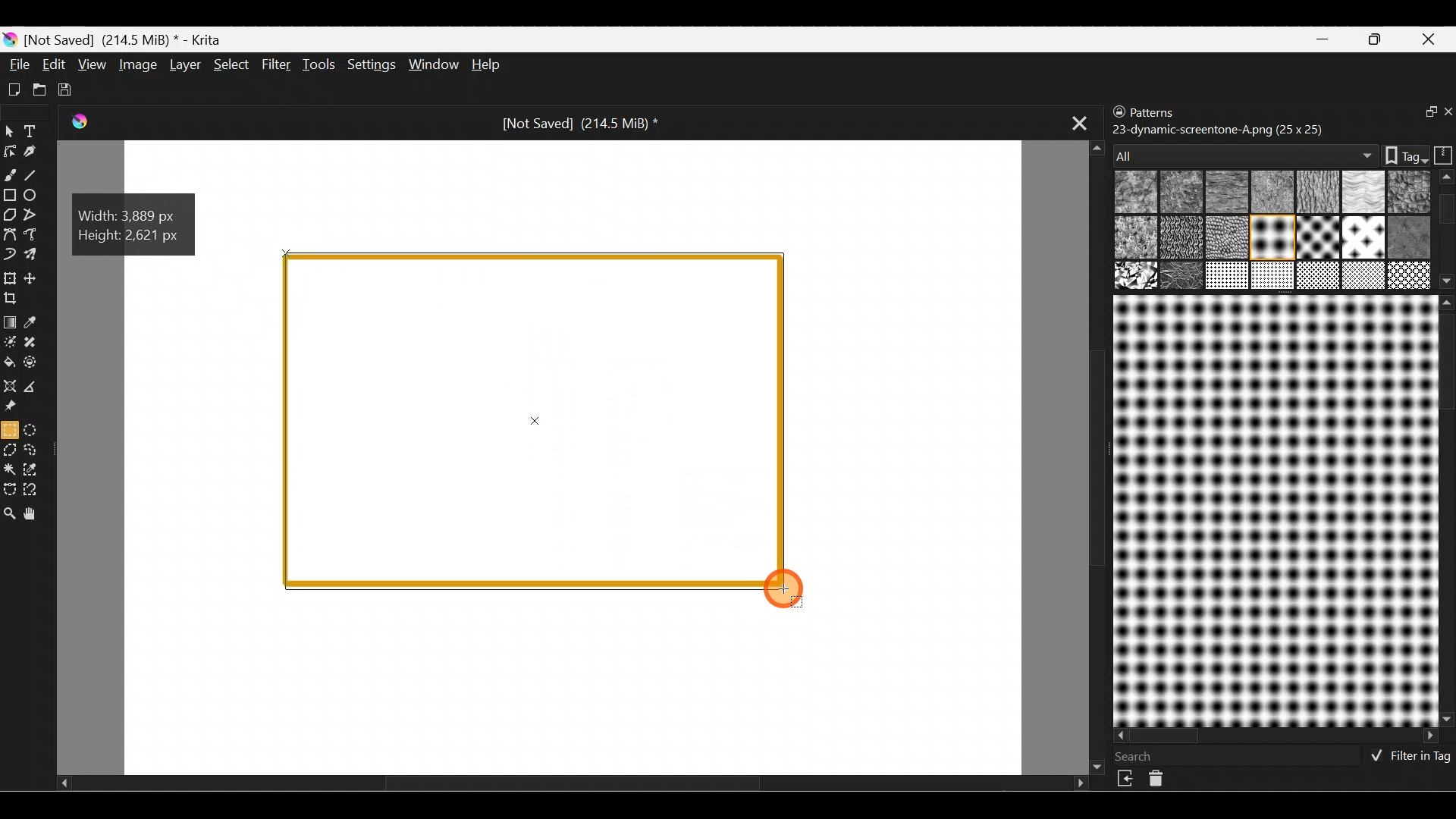  What do you see at coordinates (538, 422) in the screenshot?
I see `Rectangular selection tool on rectangle shape` at bounding box center [538, 422].